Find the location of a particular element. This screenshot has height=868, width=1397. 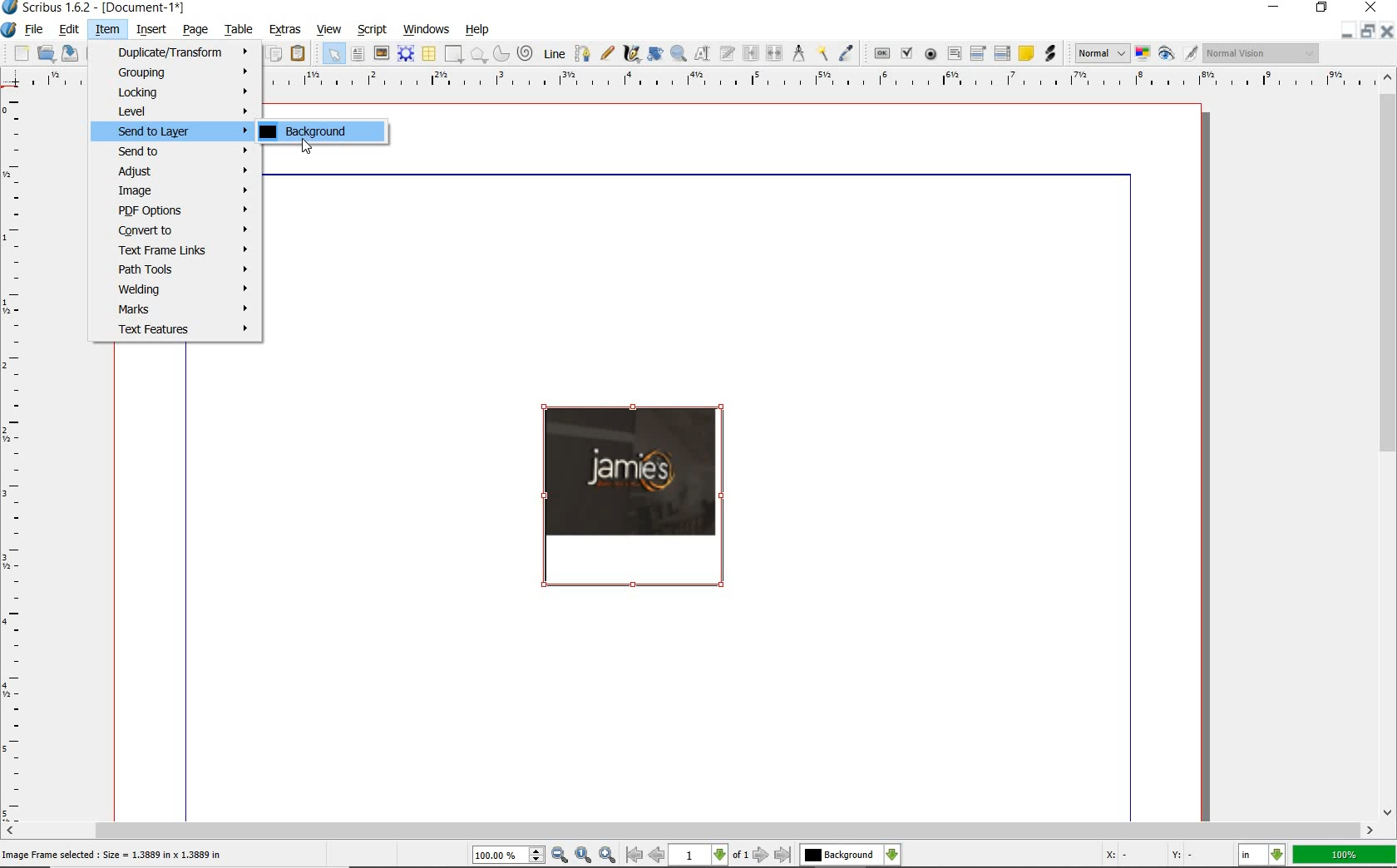

Cursor Coordinates is located at coordinates (1159, 857).